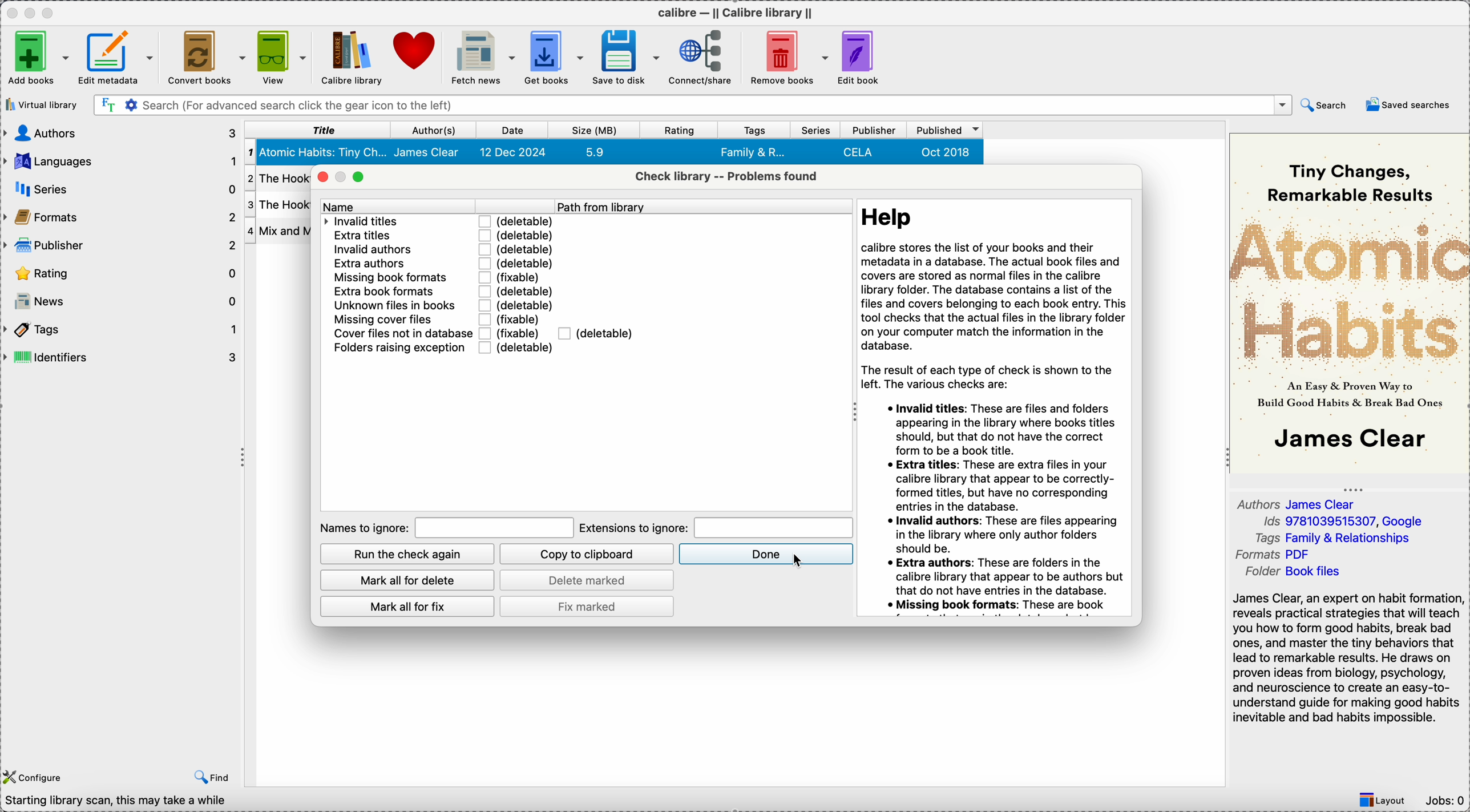  I want to click on mark all for delete, so click(410, 580).